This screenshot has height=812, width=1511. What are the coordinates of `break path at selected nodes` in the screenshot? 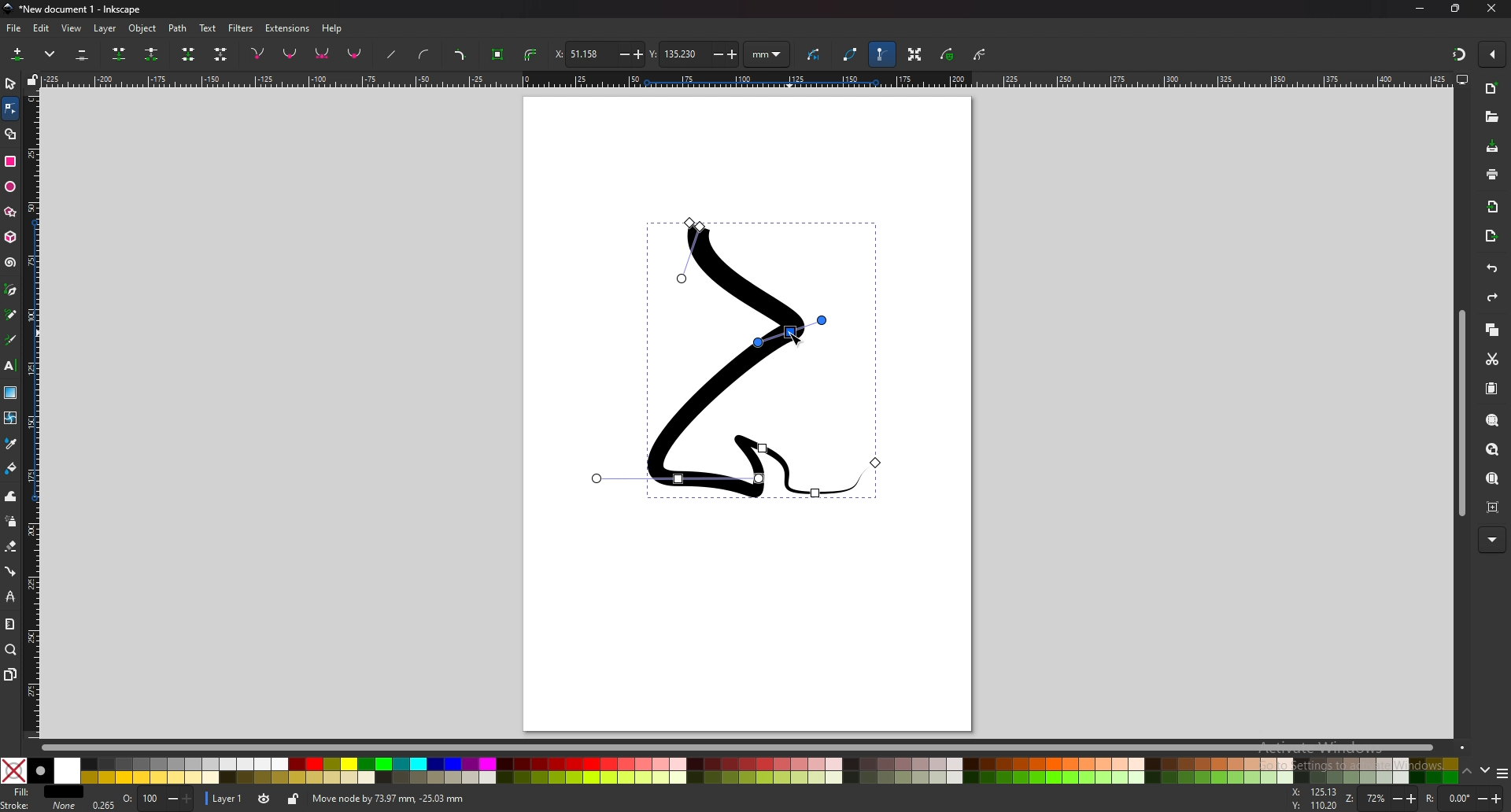 It's located at (151, 55).